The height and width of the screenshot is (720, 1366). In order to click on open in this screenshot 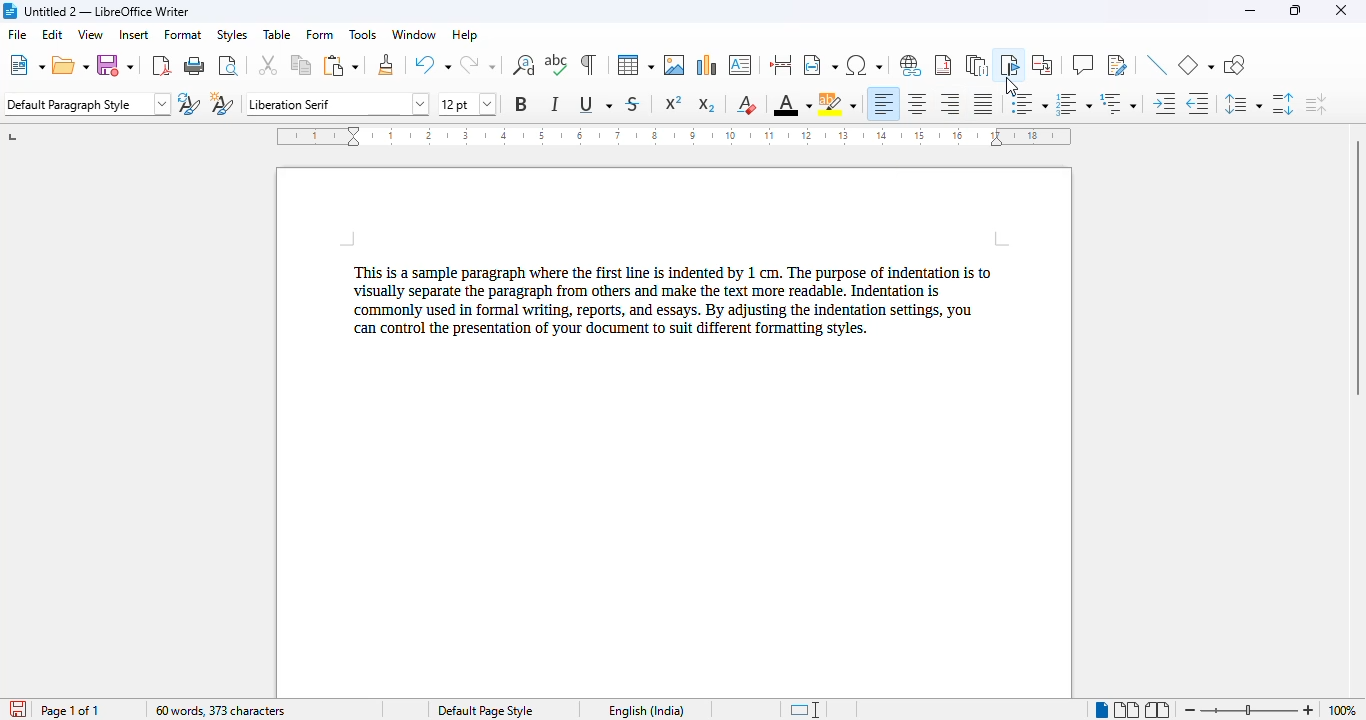, I will do `click(71, 66)`.